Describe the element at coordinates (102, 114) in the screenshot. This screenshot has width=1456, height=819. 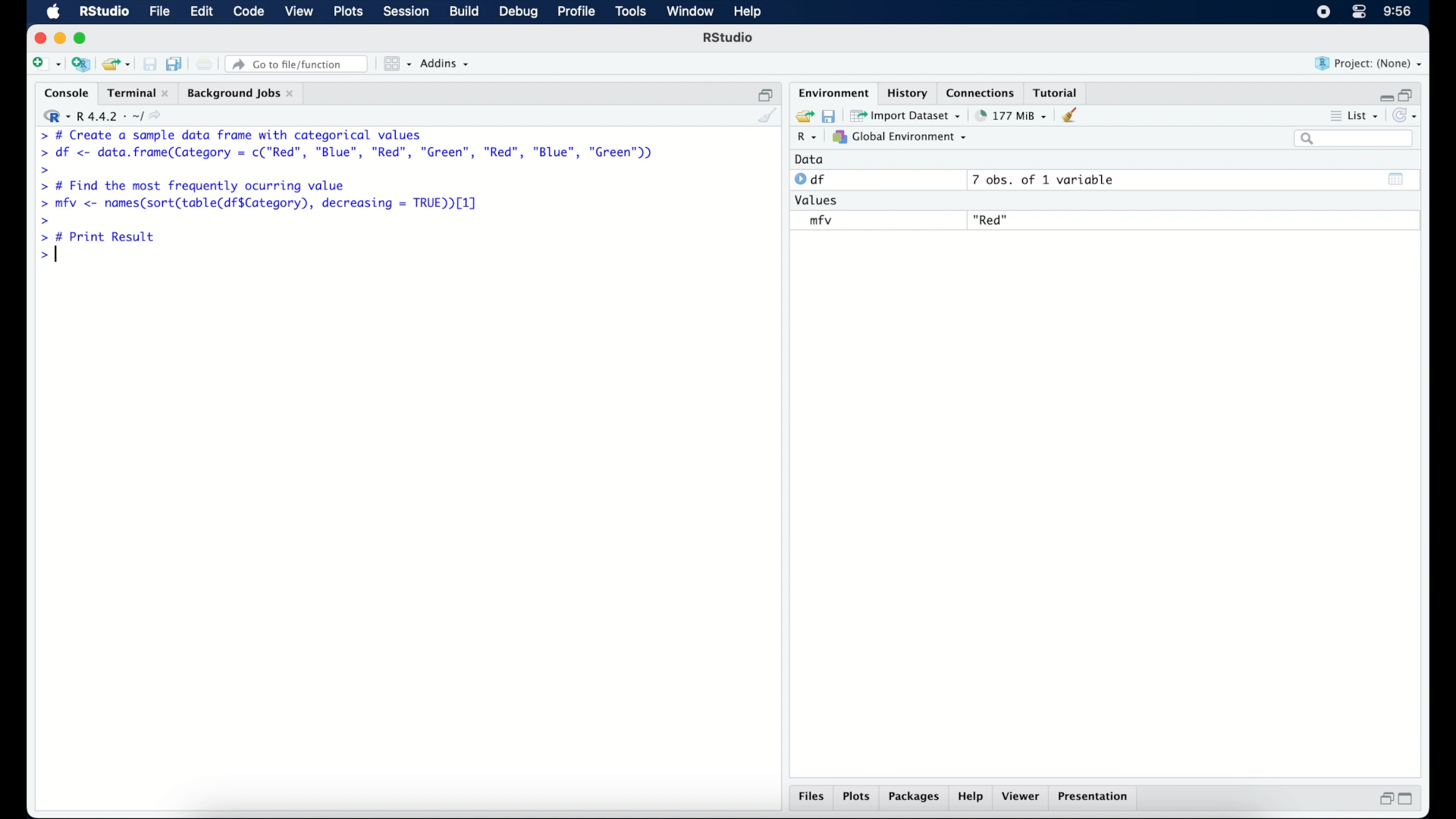
I see `R 4.4.2` at that location.